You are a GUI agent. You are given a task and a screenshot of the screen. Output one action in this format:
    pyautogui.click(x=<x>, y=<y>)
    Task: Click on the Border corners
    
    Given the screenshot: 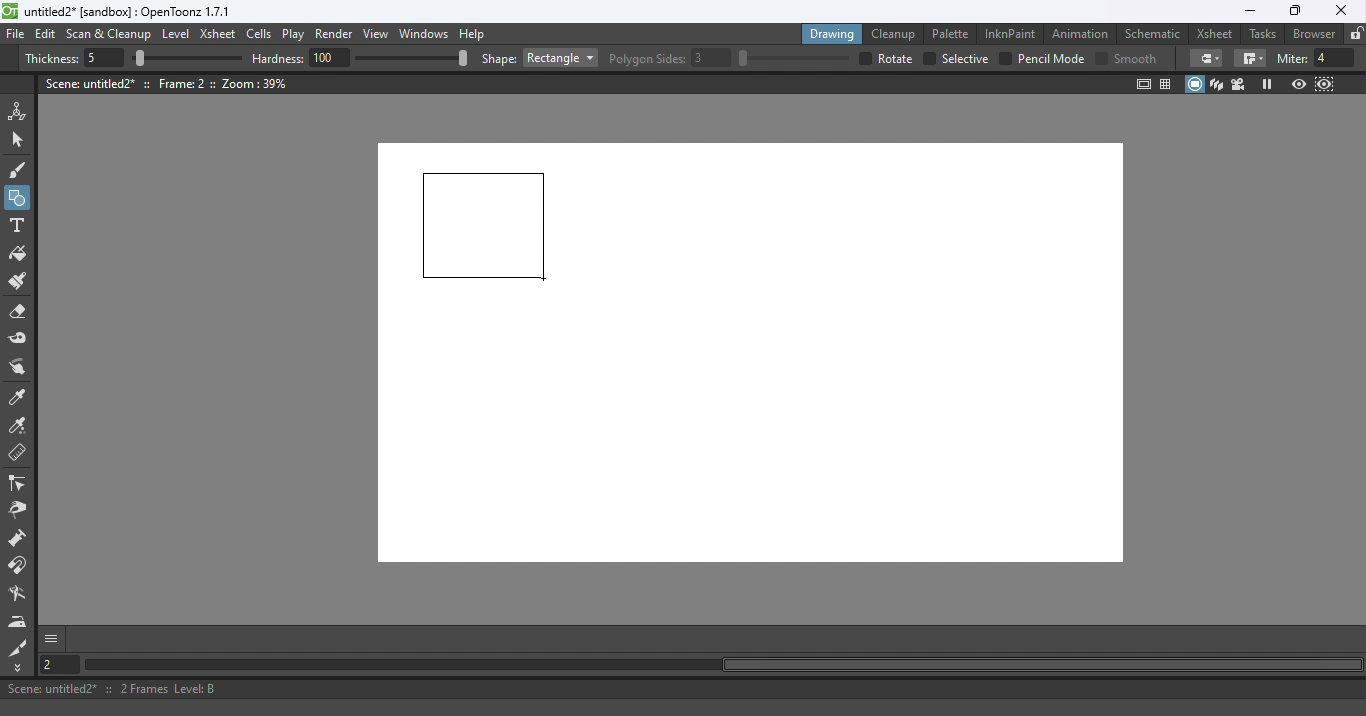 What is the action you would take?
    pyautogui.click(x=1250, y=59)
    